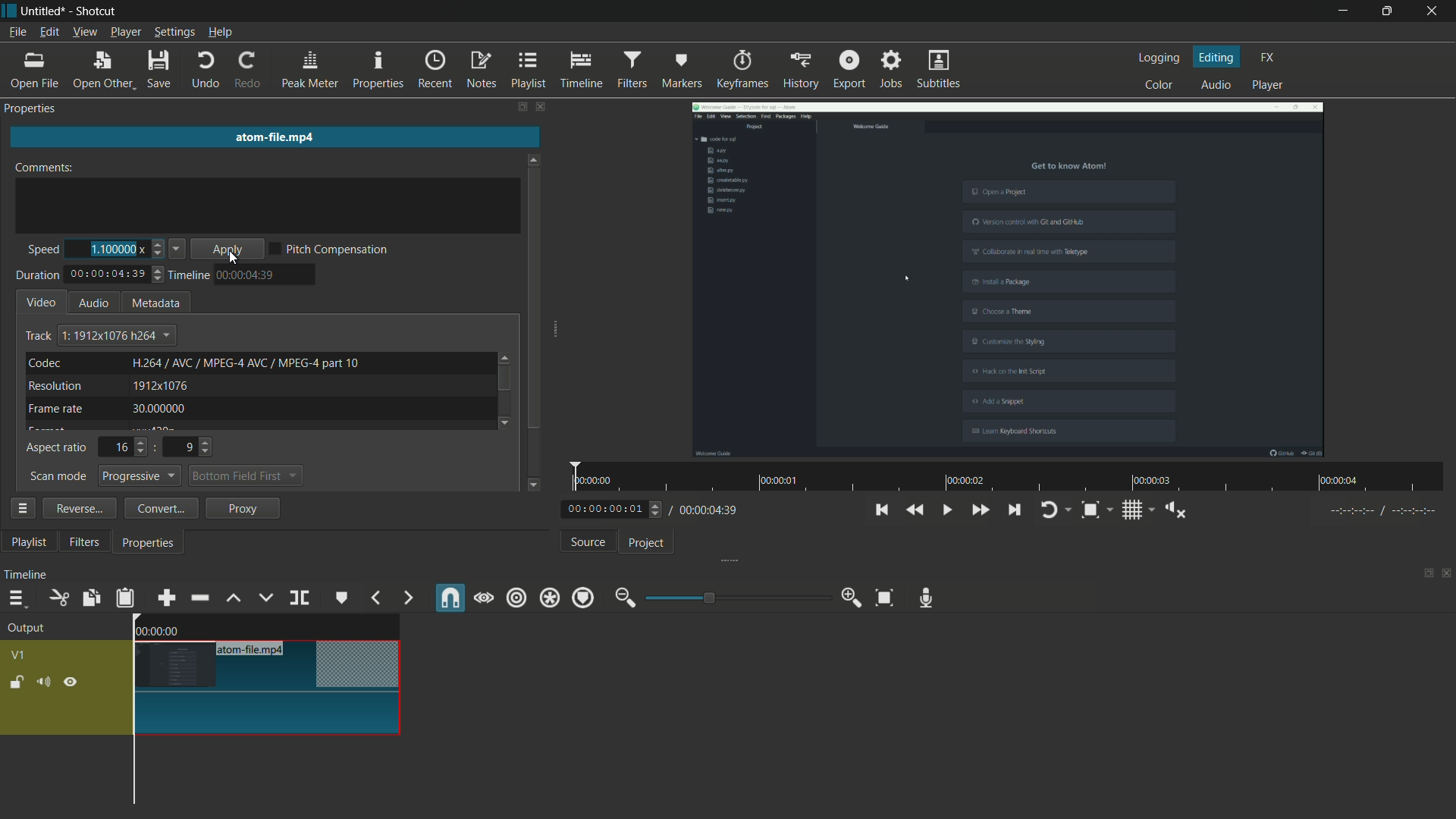 Image resolution: width=1456 pixels, height=819 pixels. I want to click on timeline, so click(582, 70).